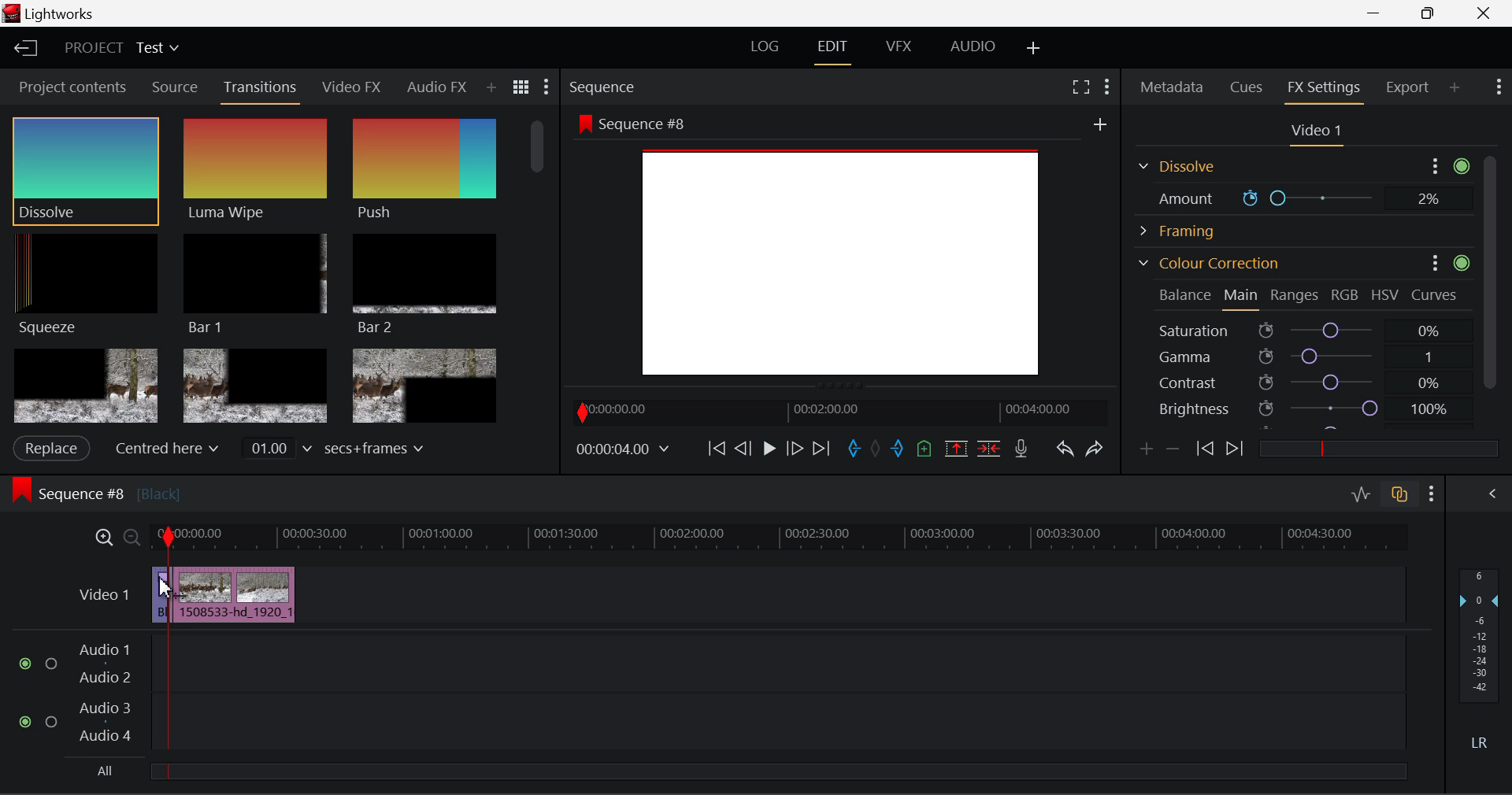  I want to click on Main Tab Open, so click(1242, 294).